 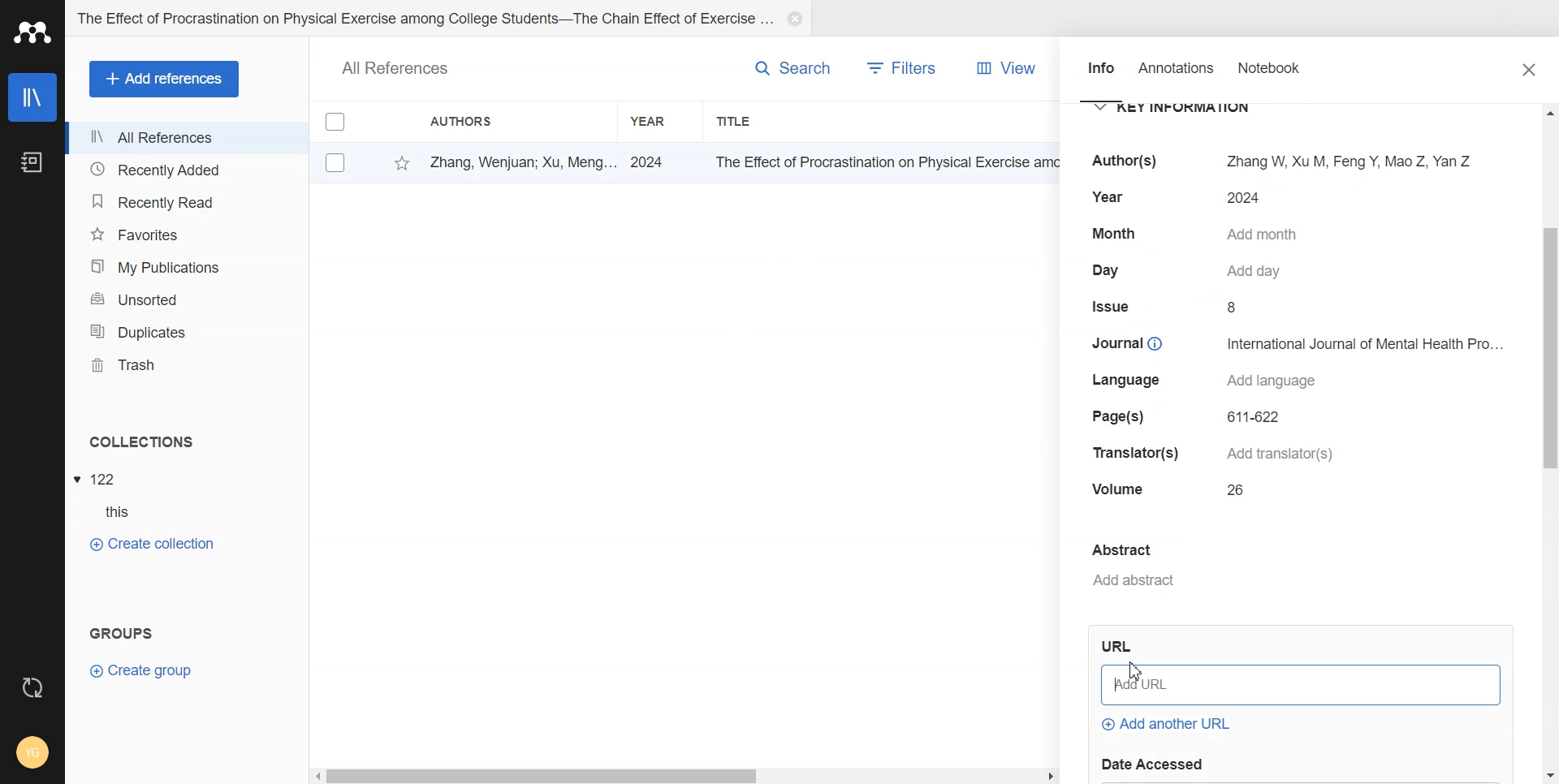 What do you see at coordinates (1295, 683) in the screenshot?
I see `Add URL` at bounding box center [1295, 683].